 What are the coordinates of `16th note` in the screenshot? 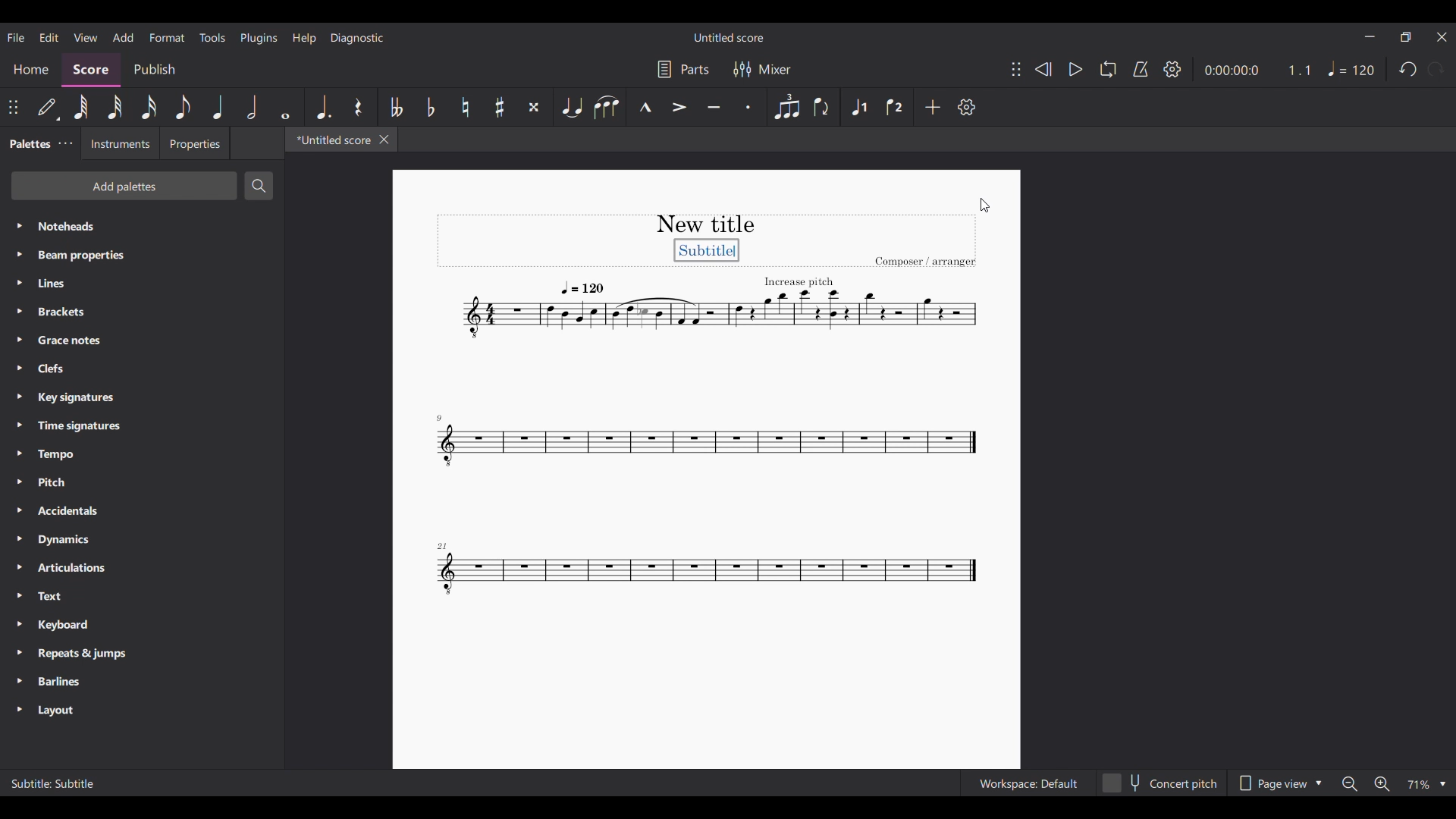 It's located at (149, 107).